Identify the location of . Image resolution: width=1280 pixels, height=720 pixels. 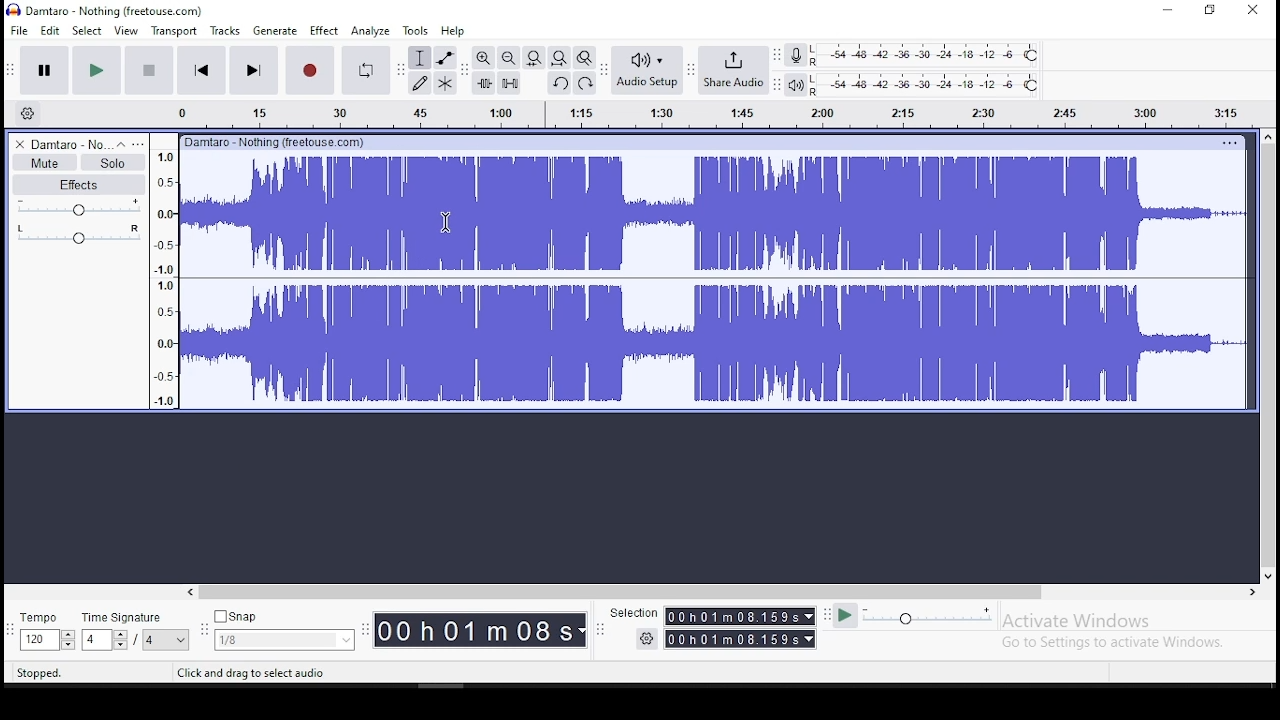
(825, 614).